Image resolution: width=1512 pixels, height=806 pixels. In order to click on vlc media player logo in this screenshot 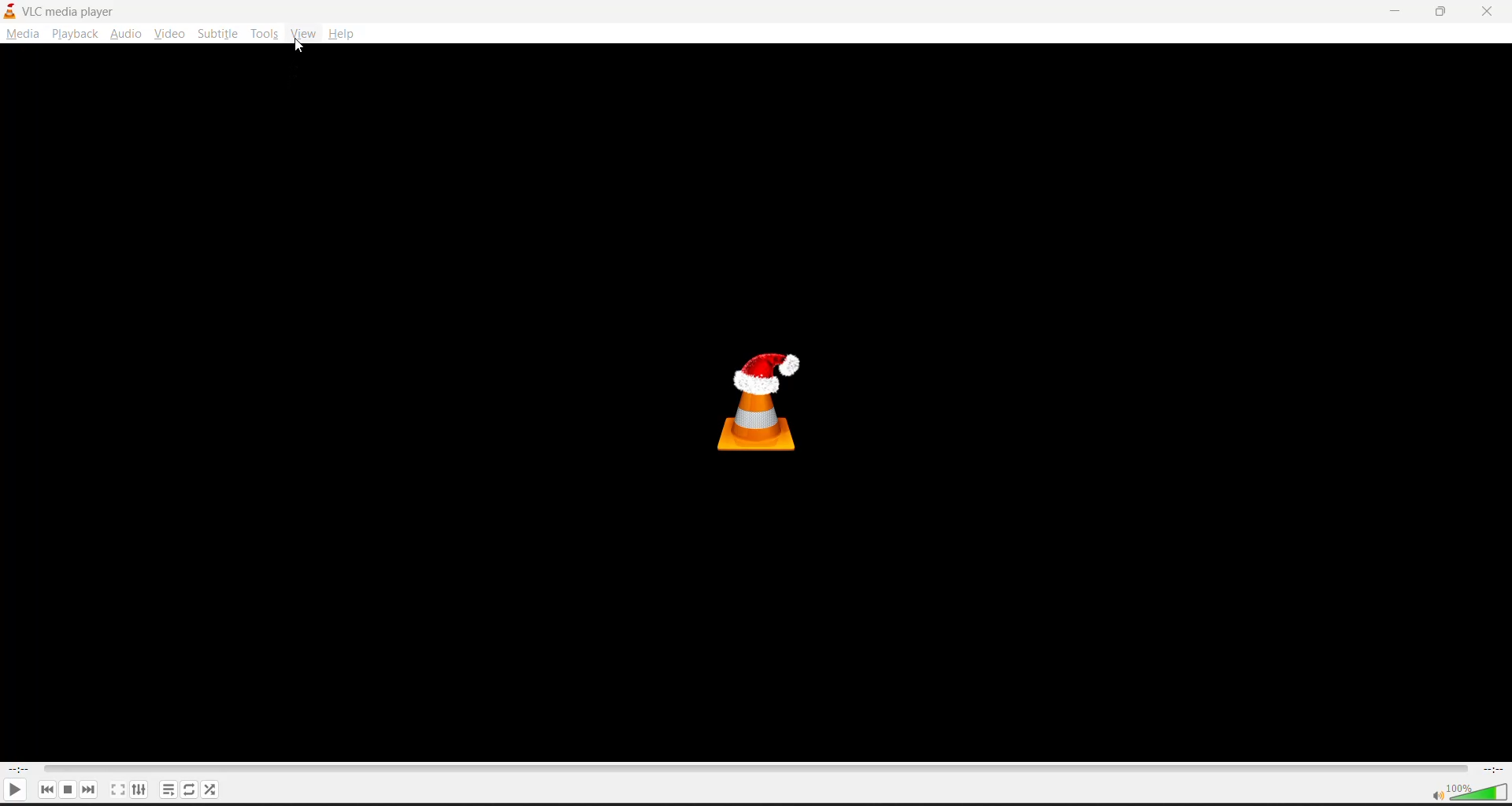, I will do `click(757, 403)`.